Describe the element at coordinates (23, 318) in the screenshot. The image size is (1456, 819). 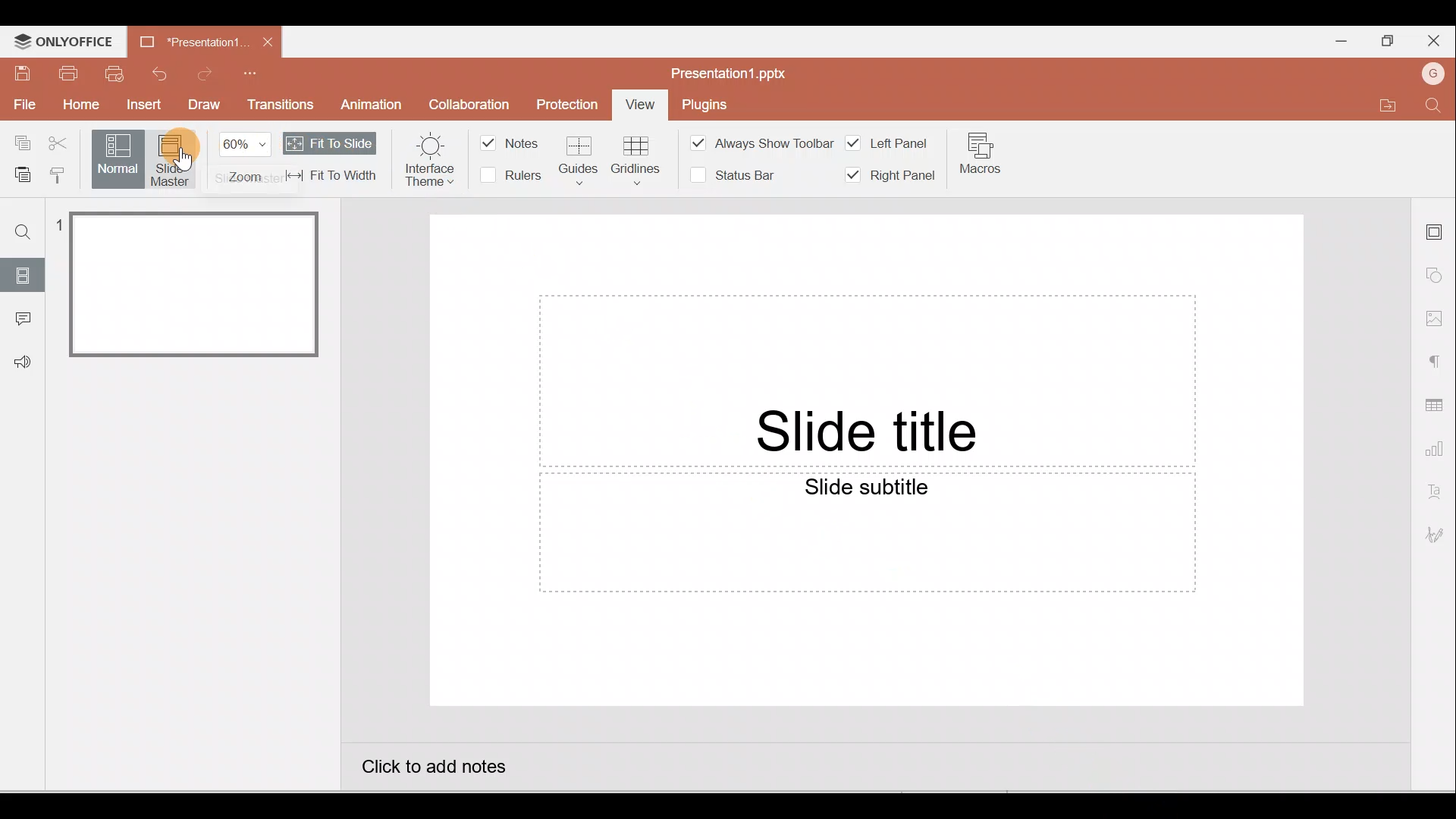
I see `Comment` at that location.